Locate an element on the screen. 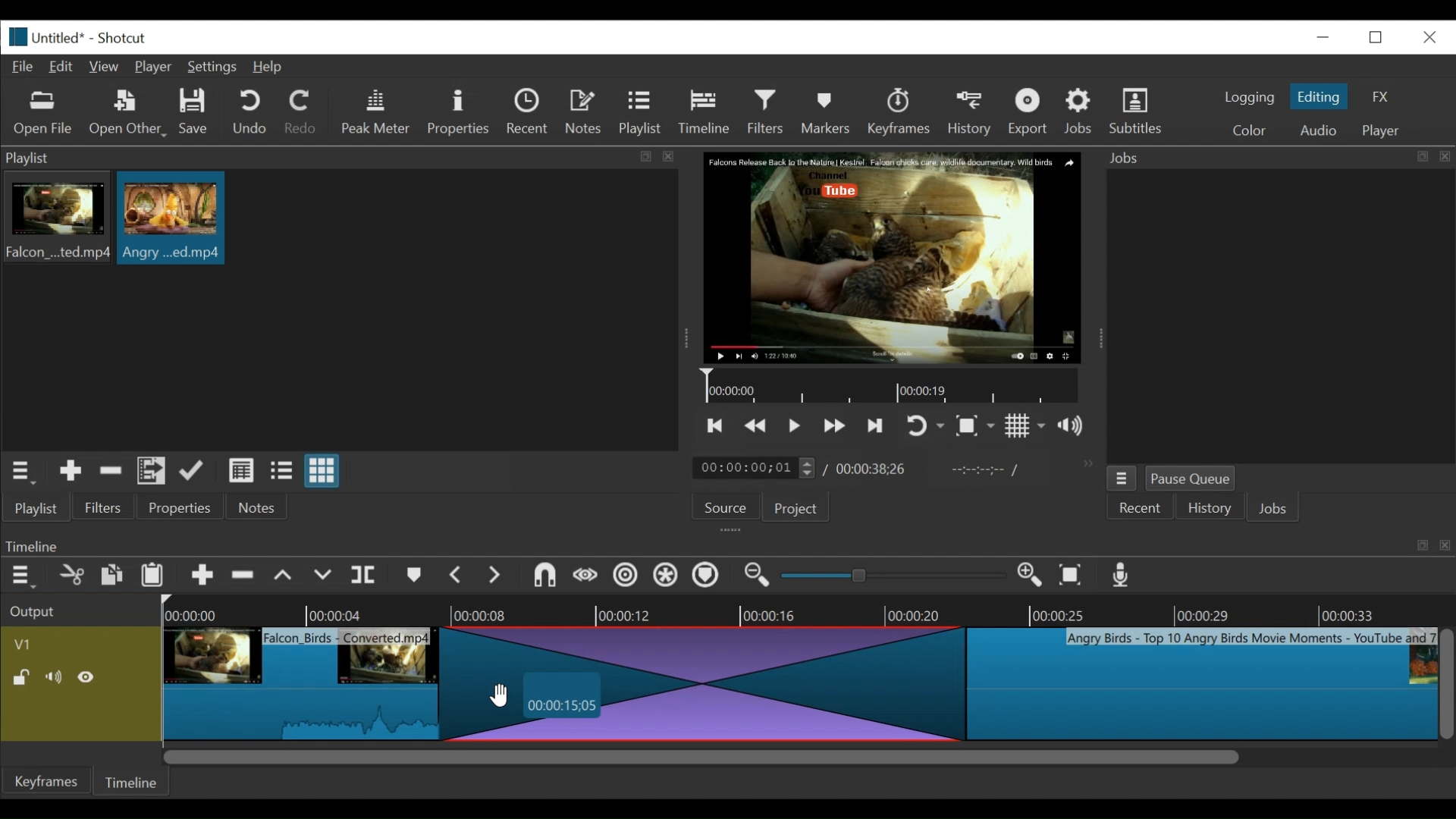 Image resolution: width=1456 pixels, height=819 pixels. File is located at coordinates (26, 67).